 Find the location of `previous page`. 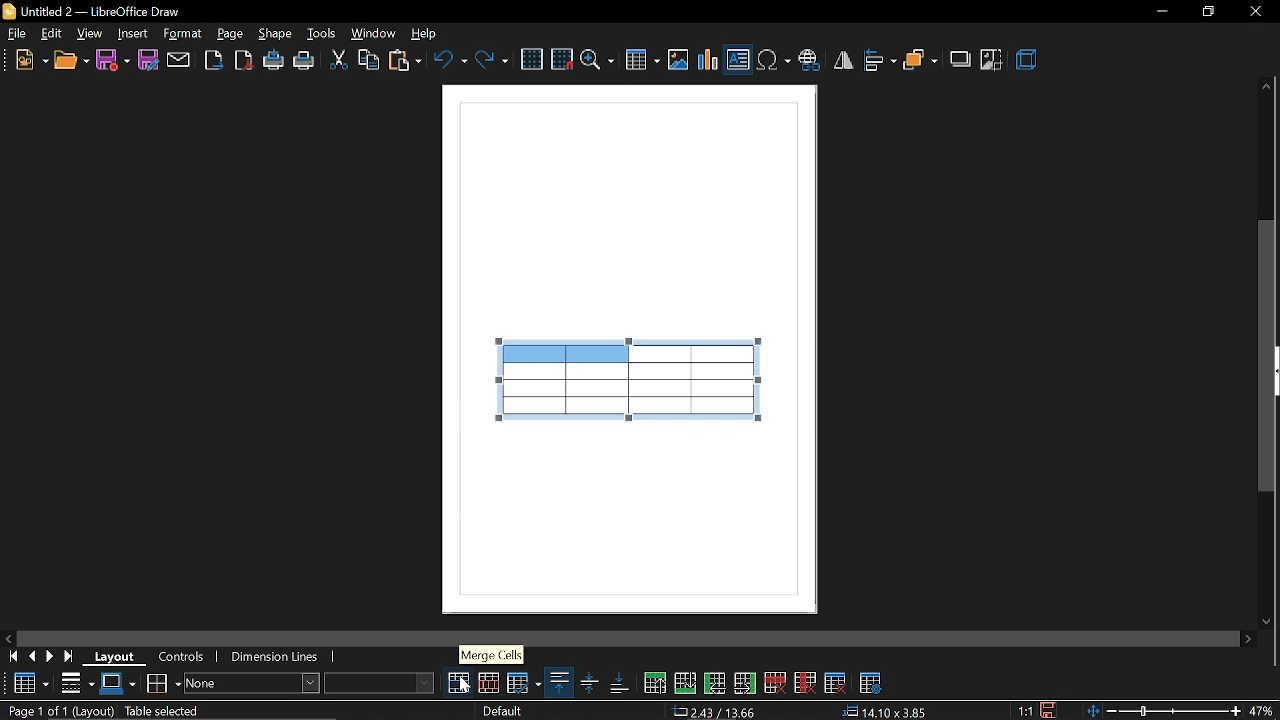

previous page is located at coordinates (32, 657).